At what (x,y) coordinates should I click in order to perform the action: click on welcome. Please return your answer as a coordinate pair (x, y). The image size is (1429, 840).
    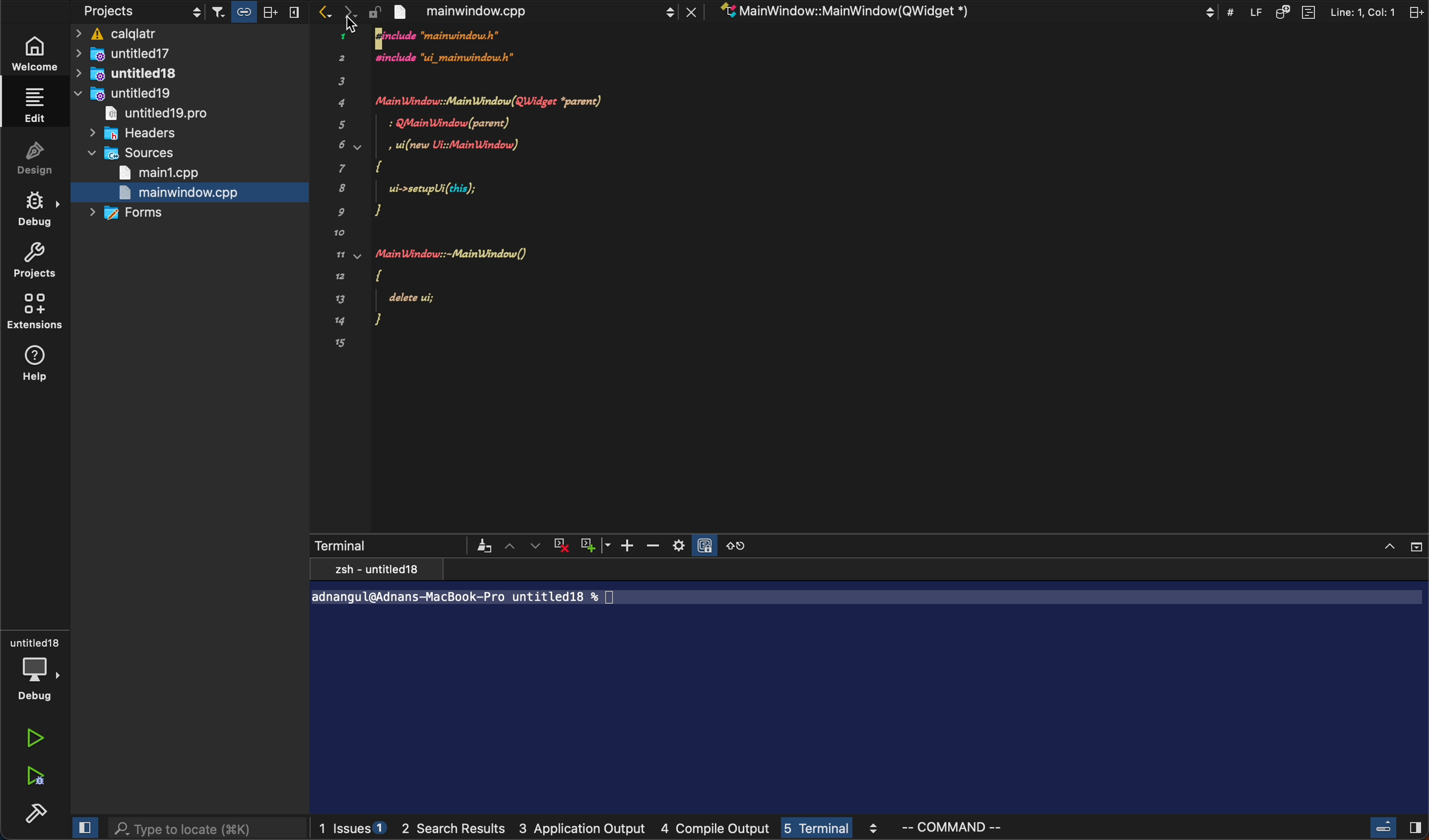
    Looking at the image, I should click on (40, 53).